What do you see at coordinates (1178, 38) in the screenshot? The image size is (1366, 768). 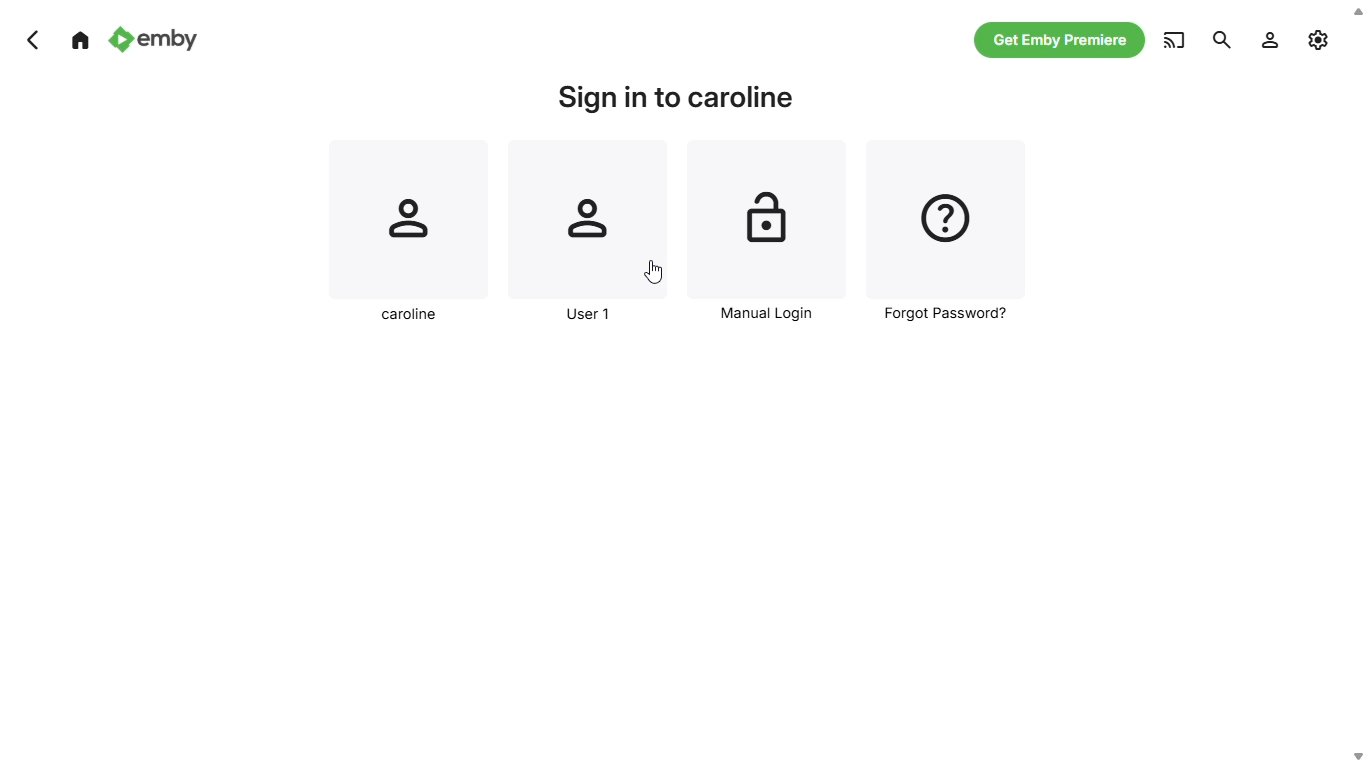 I see `play on another device` at bounding box center [1178, 38].